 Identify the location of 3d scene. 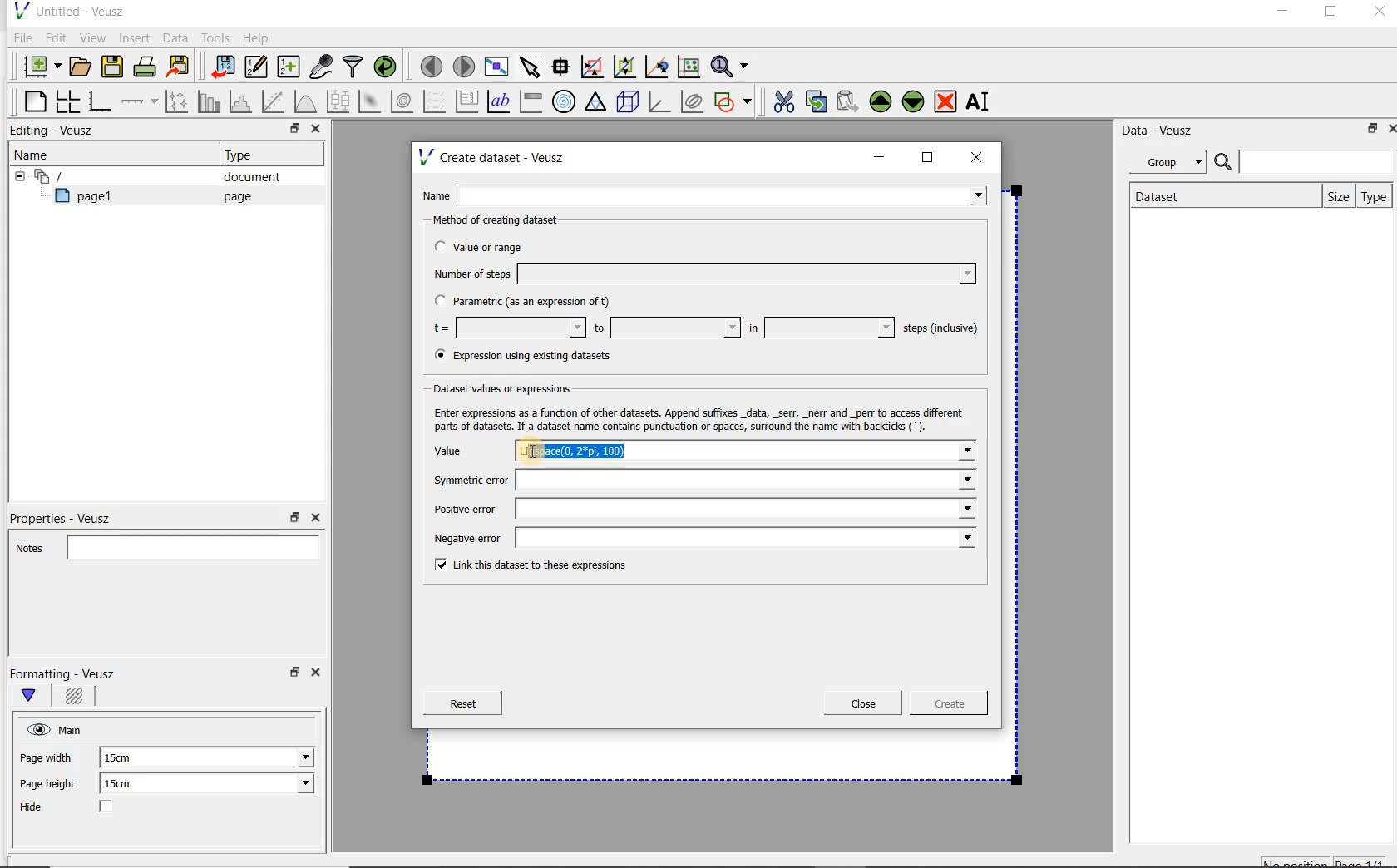
(629, 103).